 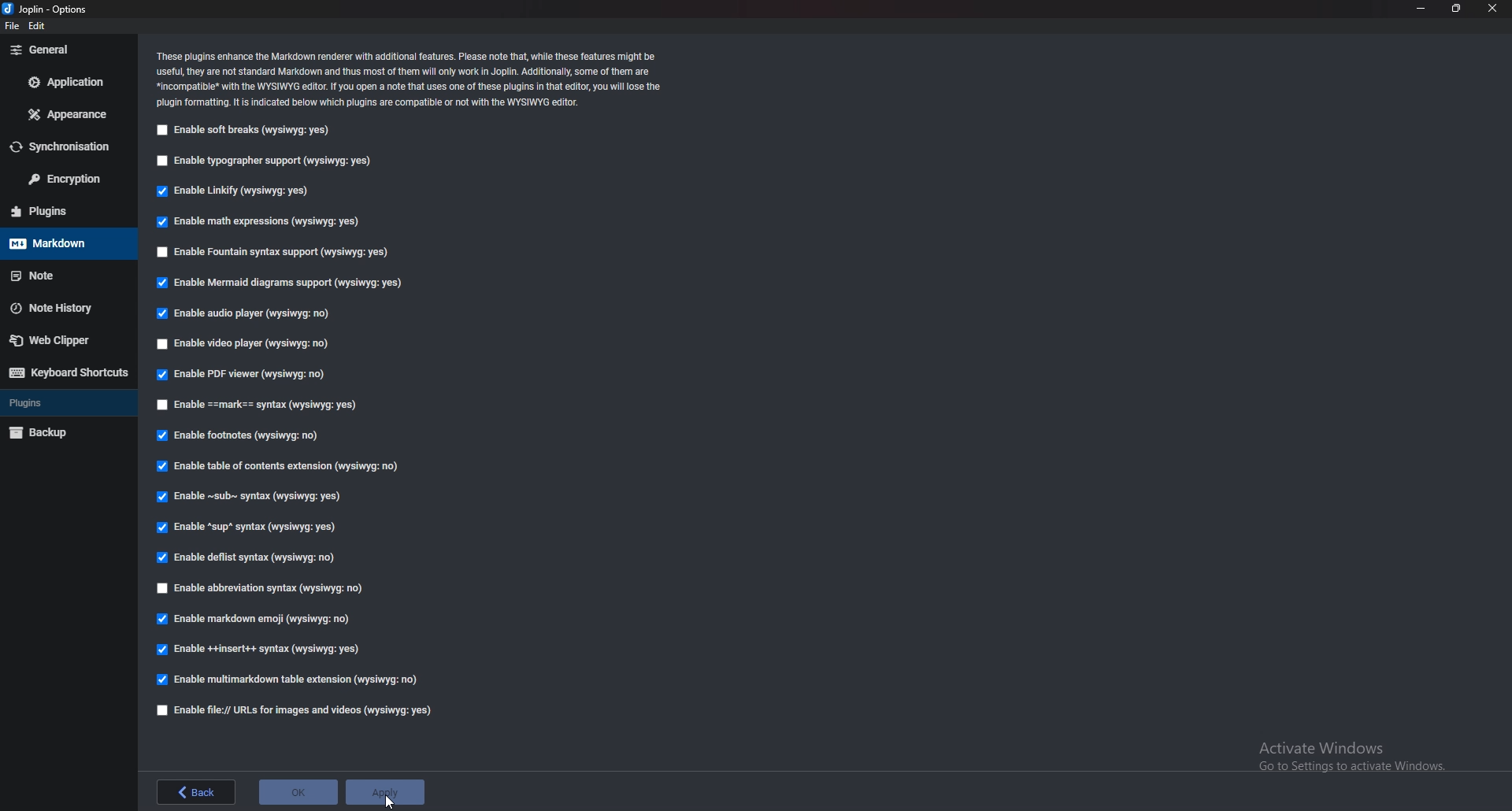 I want to click on Enable linkify (wysiqyg:yes), so click(x=237, y=192).